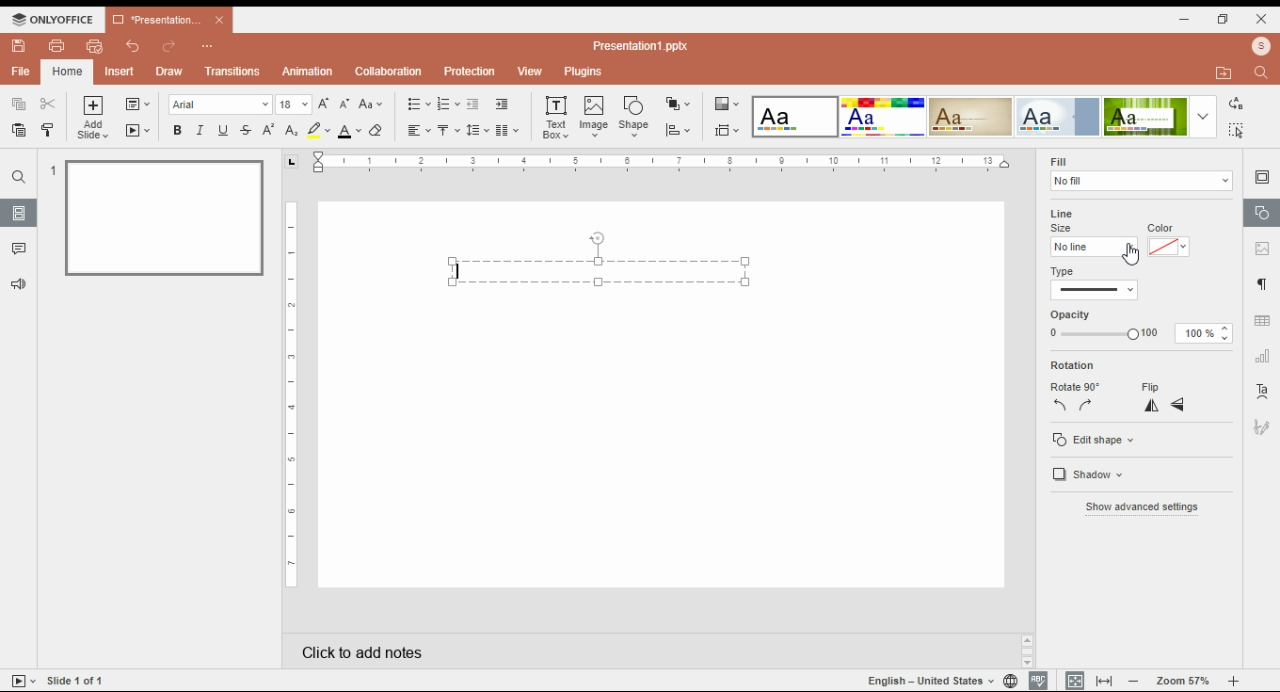 This screenshot has width=1280, height=692. Describe the element at coordinates (1188, 20) in the screenshot. I see `minimize` at that location.